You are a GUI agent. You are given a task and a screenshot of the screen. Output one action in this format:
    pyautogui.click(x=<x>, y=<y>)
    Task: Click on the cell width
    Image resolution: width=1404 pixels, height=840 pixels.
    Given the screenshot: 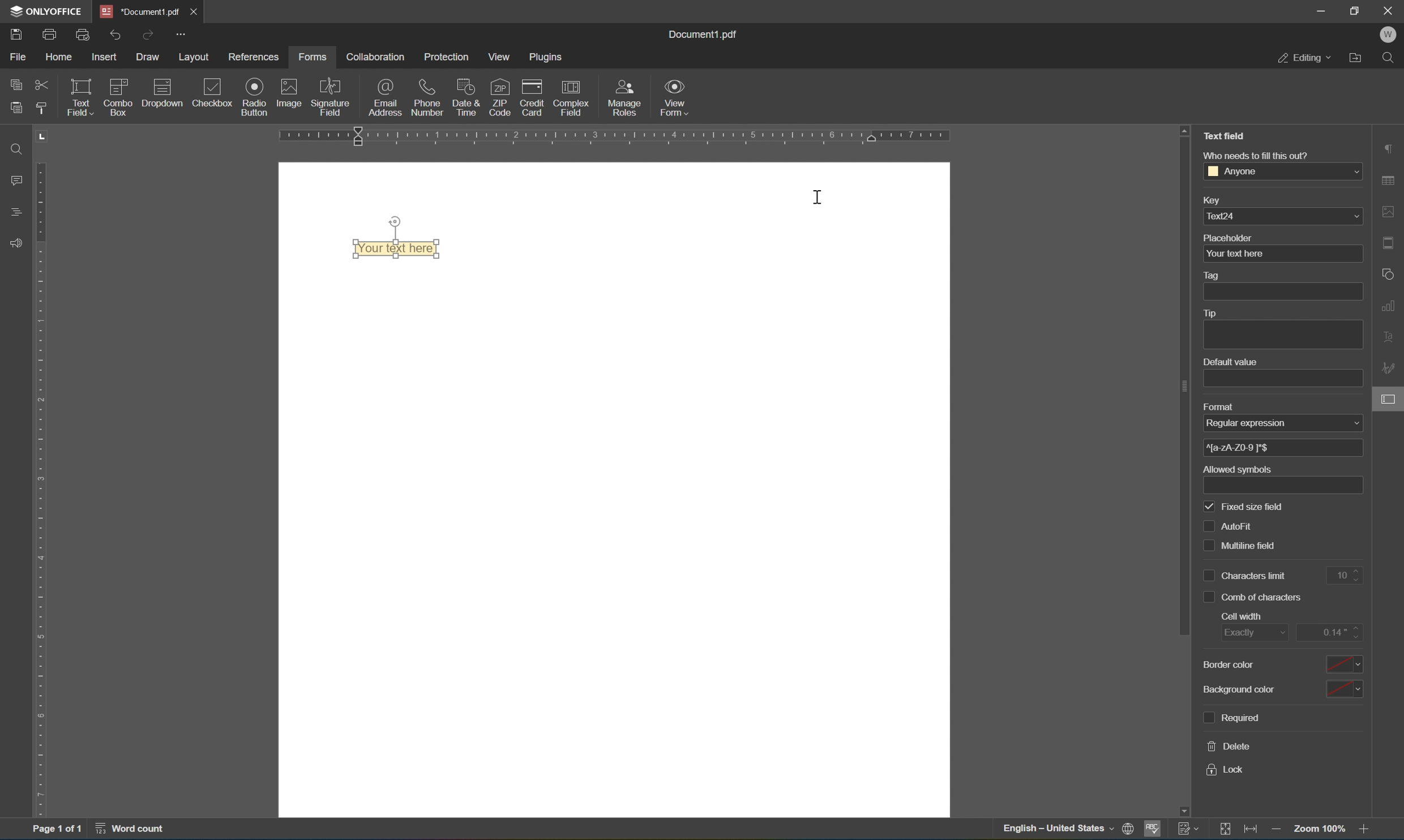 What is the action you would take?
    pyautogui.click(x=1242, y=616)
    